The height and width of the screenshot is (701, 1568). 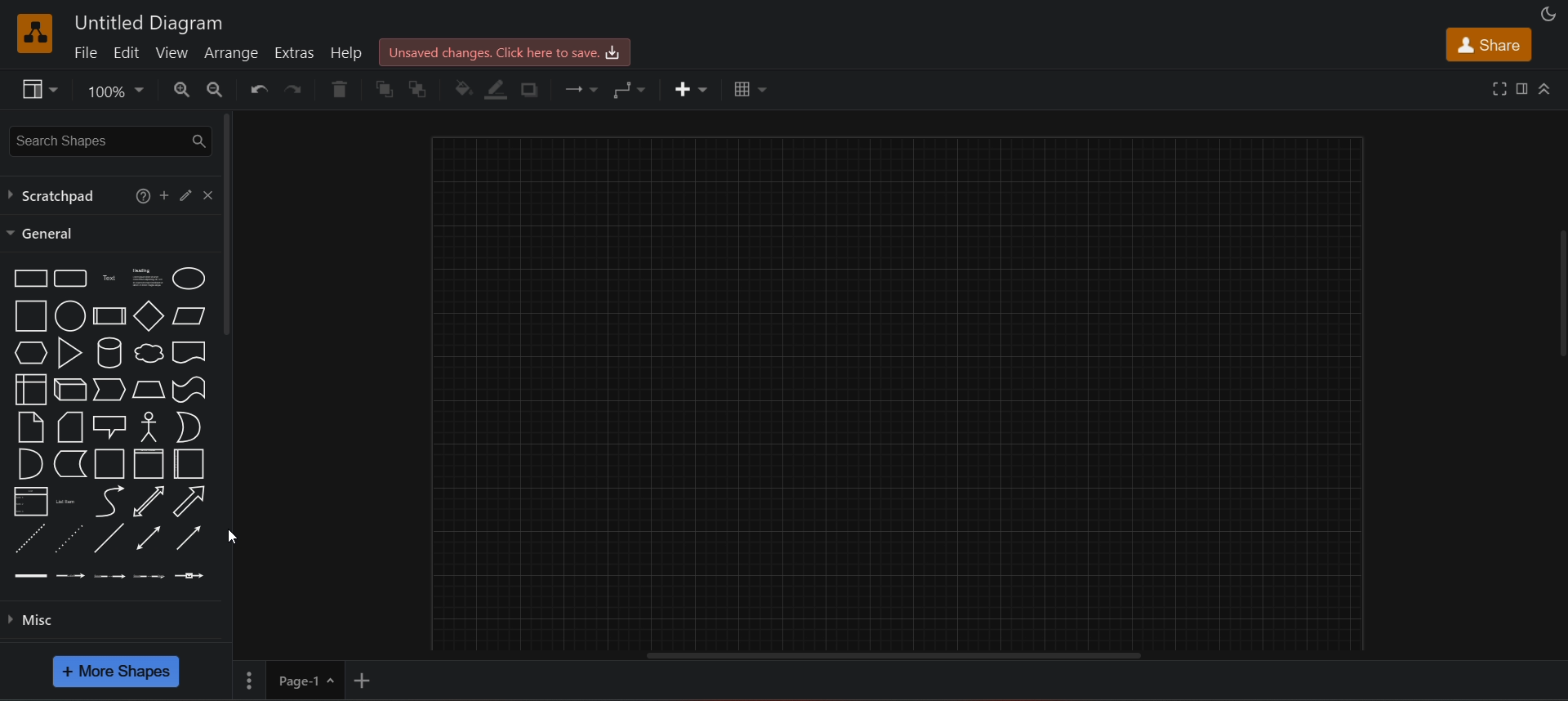 What do you see at coordinates (506, 52) in the screenshot?
I see `click here to save.` at bounding box center [506, 52].